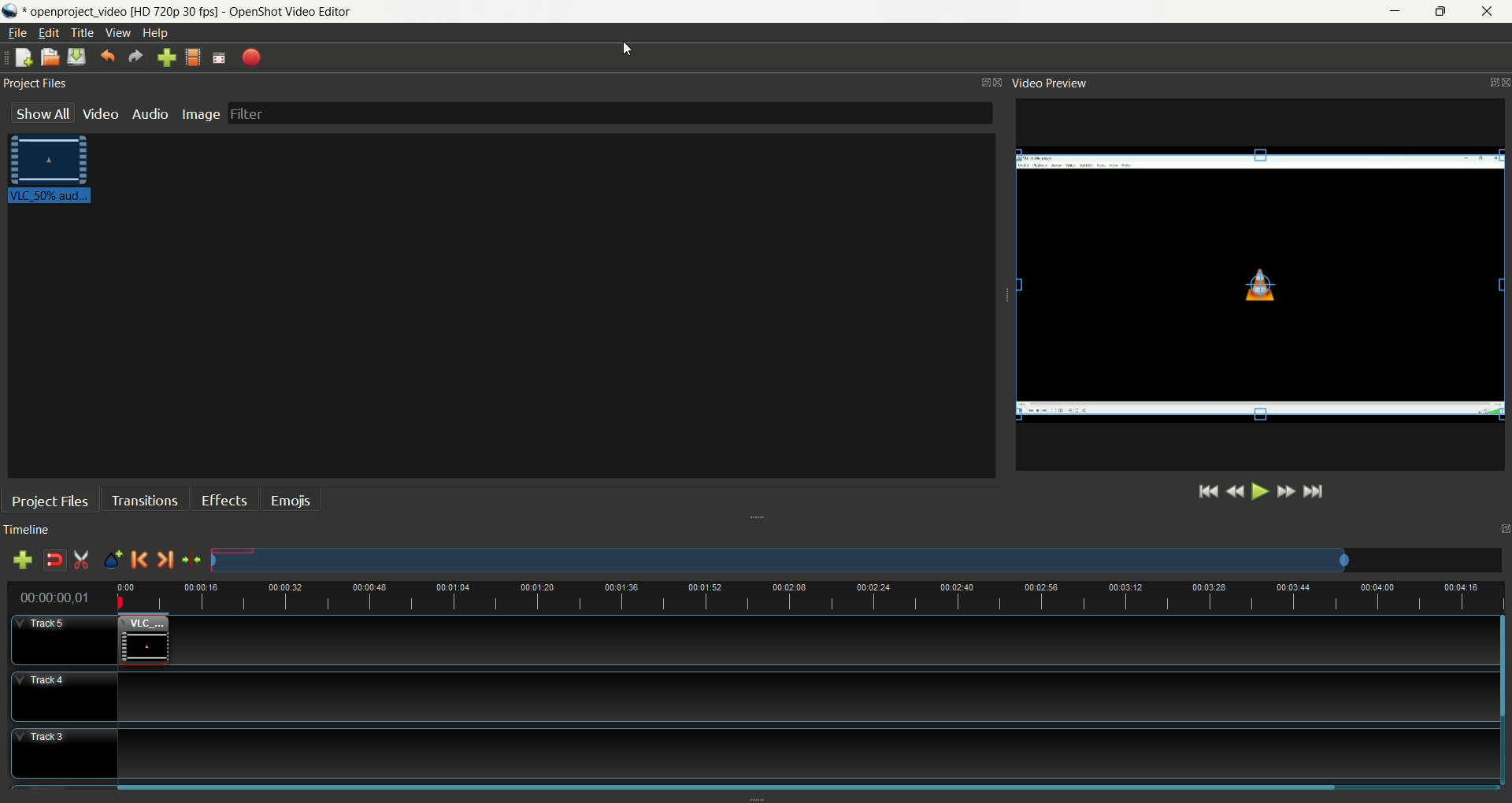 This screenshot has height=803, width=1512. I want to click on track3, so click(63, 752).